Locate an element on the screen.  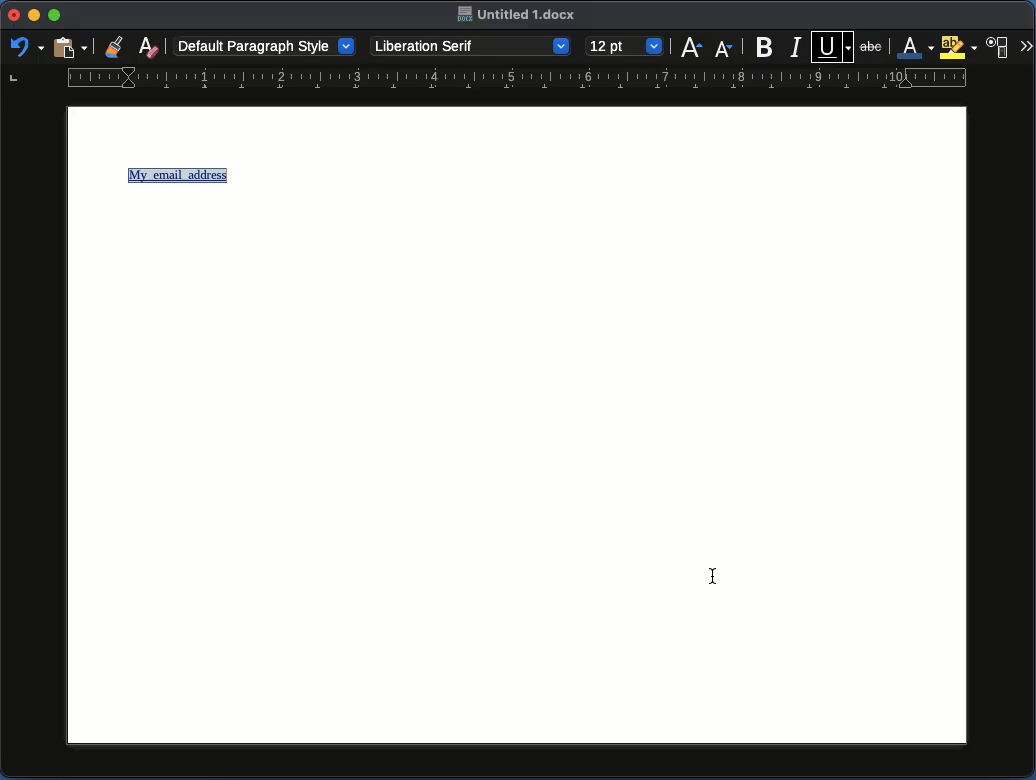
Liberation Serif is located at coordinates (472, 46).